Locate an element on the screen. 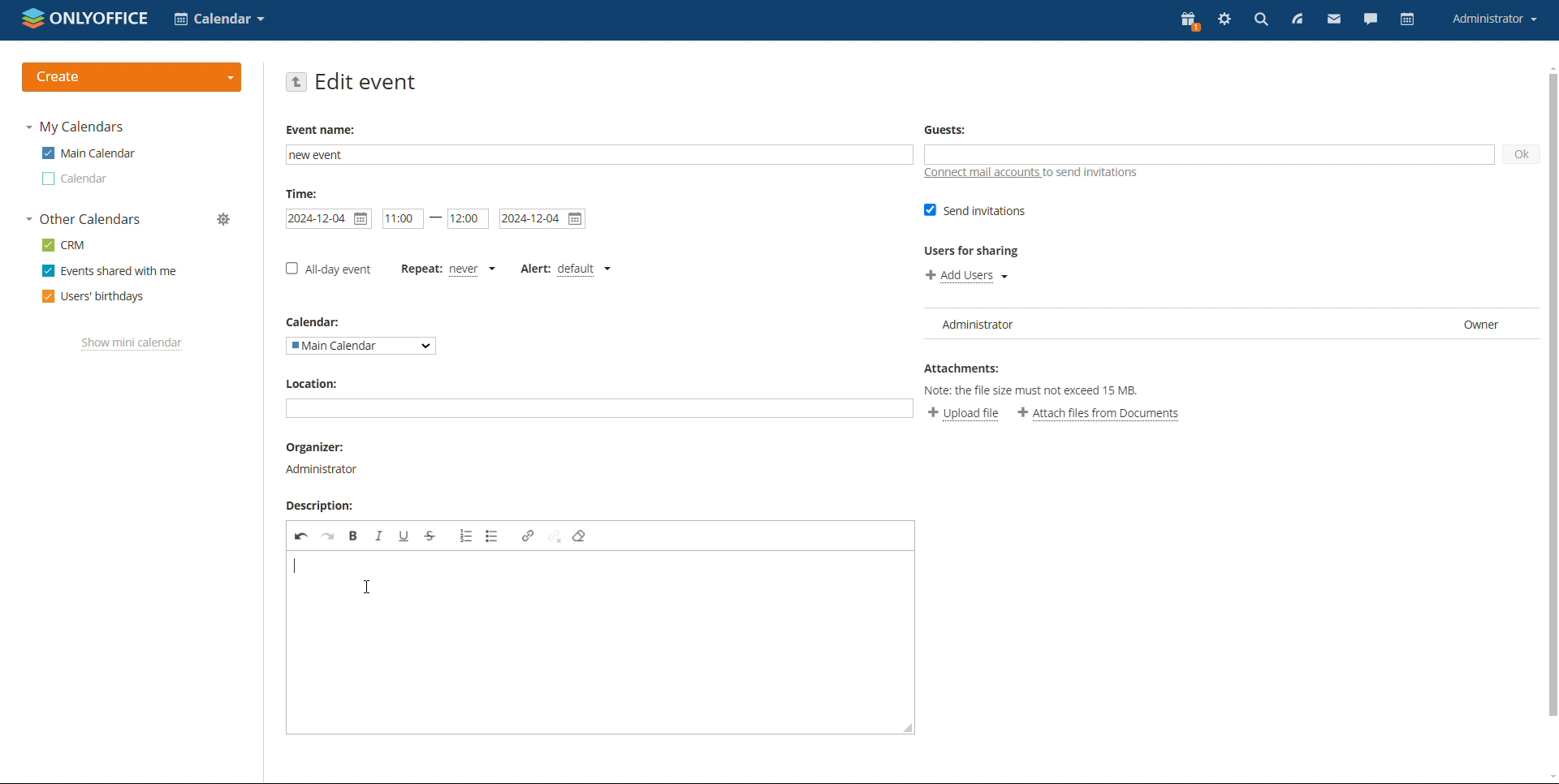 Image resolution: width=1559 pixels, height=784 pixels.  is located at coordinates (581, 536).